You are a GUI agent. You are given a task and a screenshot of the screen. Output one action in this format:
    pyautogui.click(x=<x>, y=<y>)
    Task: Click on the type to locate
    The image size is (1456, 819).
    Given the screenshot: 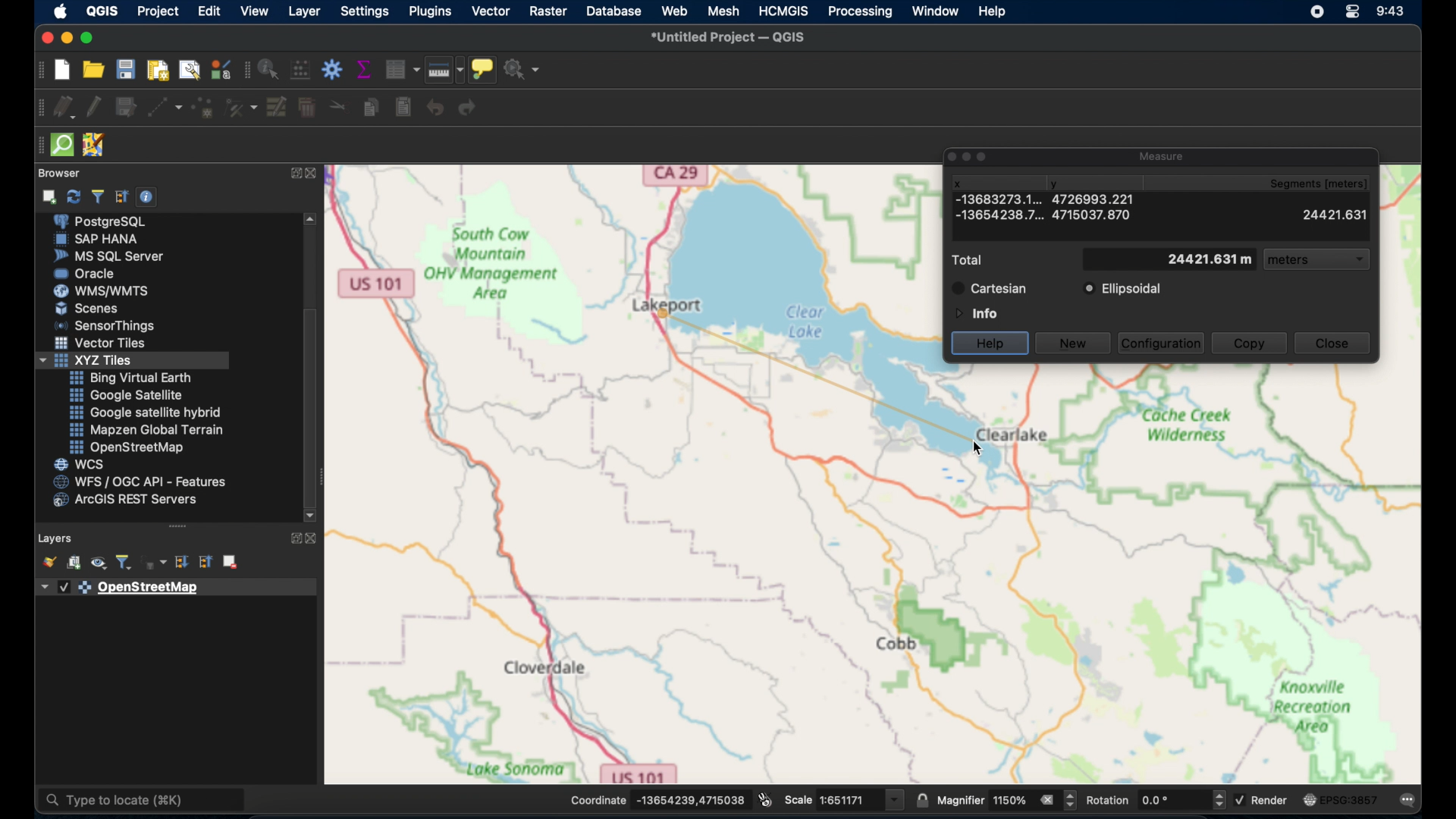 What is the action you would take?
    pyautogui.click(x=143, y=801)
    